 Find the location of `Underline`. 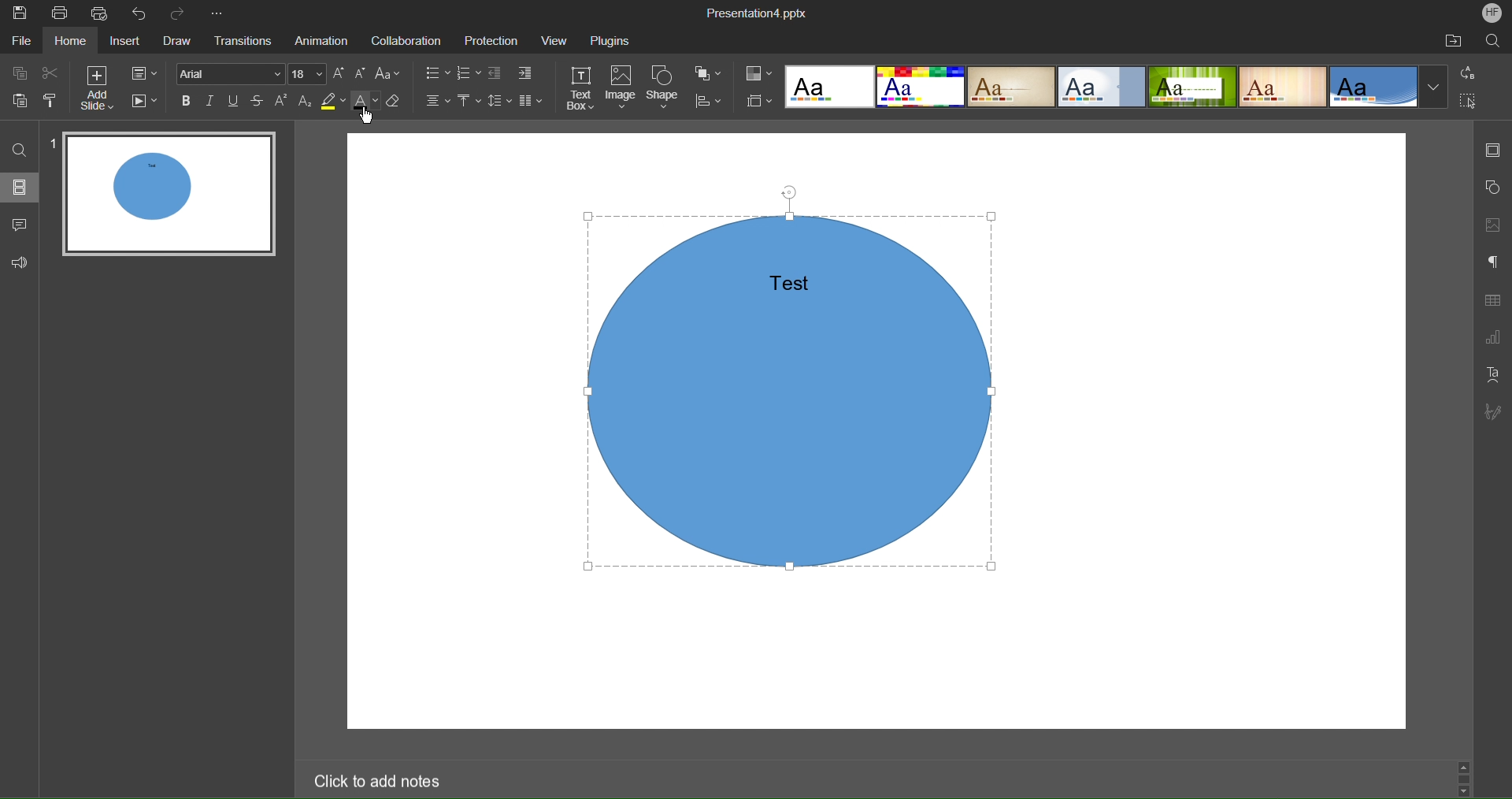

Underline is located at coordinates (236, 103).